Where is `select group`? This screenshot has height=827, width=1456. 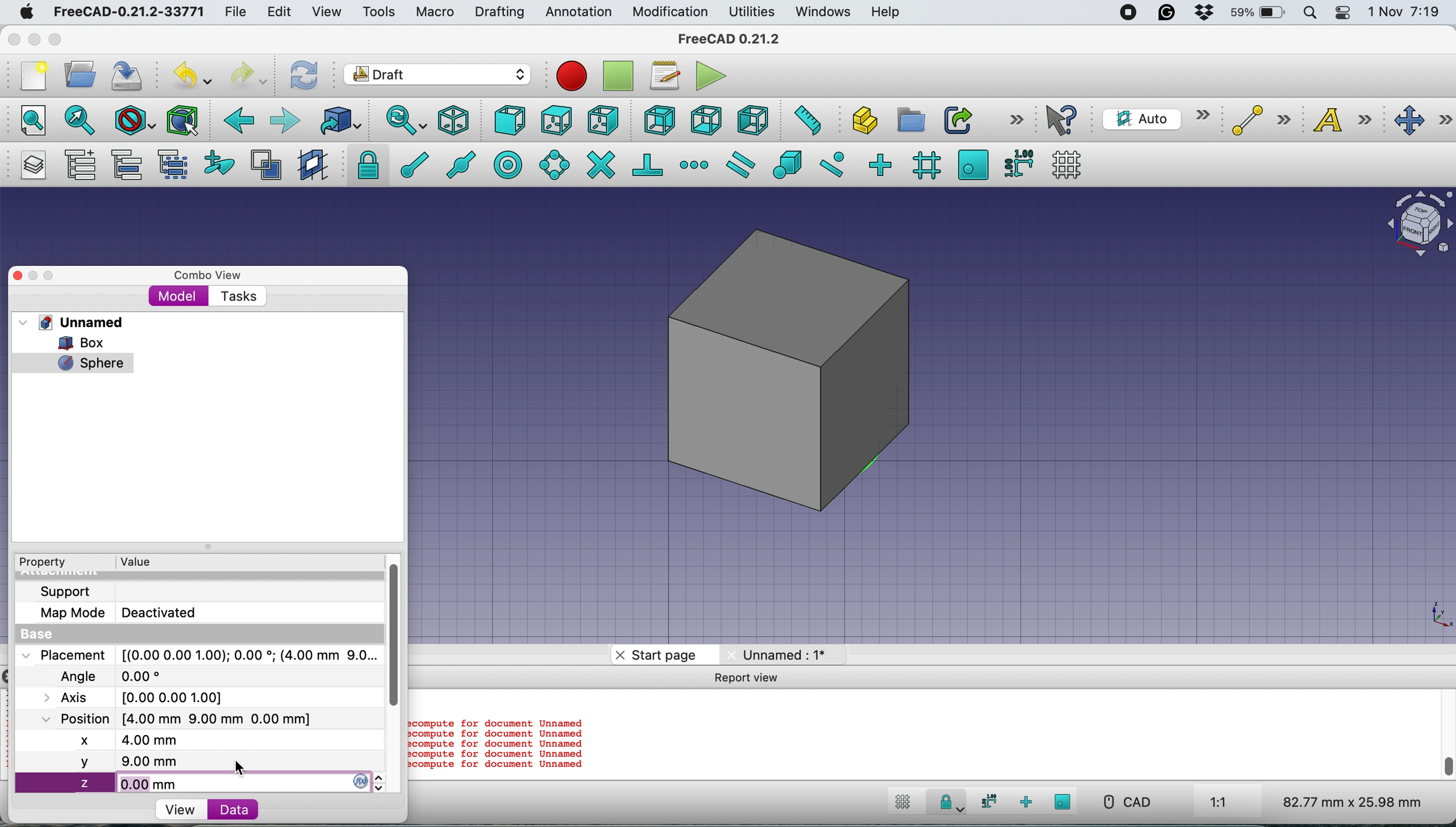
select group is located at coordinates (172, 167).